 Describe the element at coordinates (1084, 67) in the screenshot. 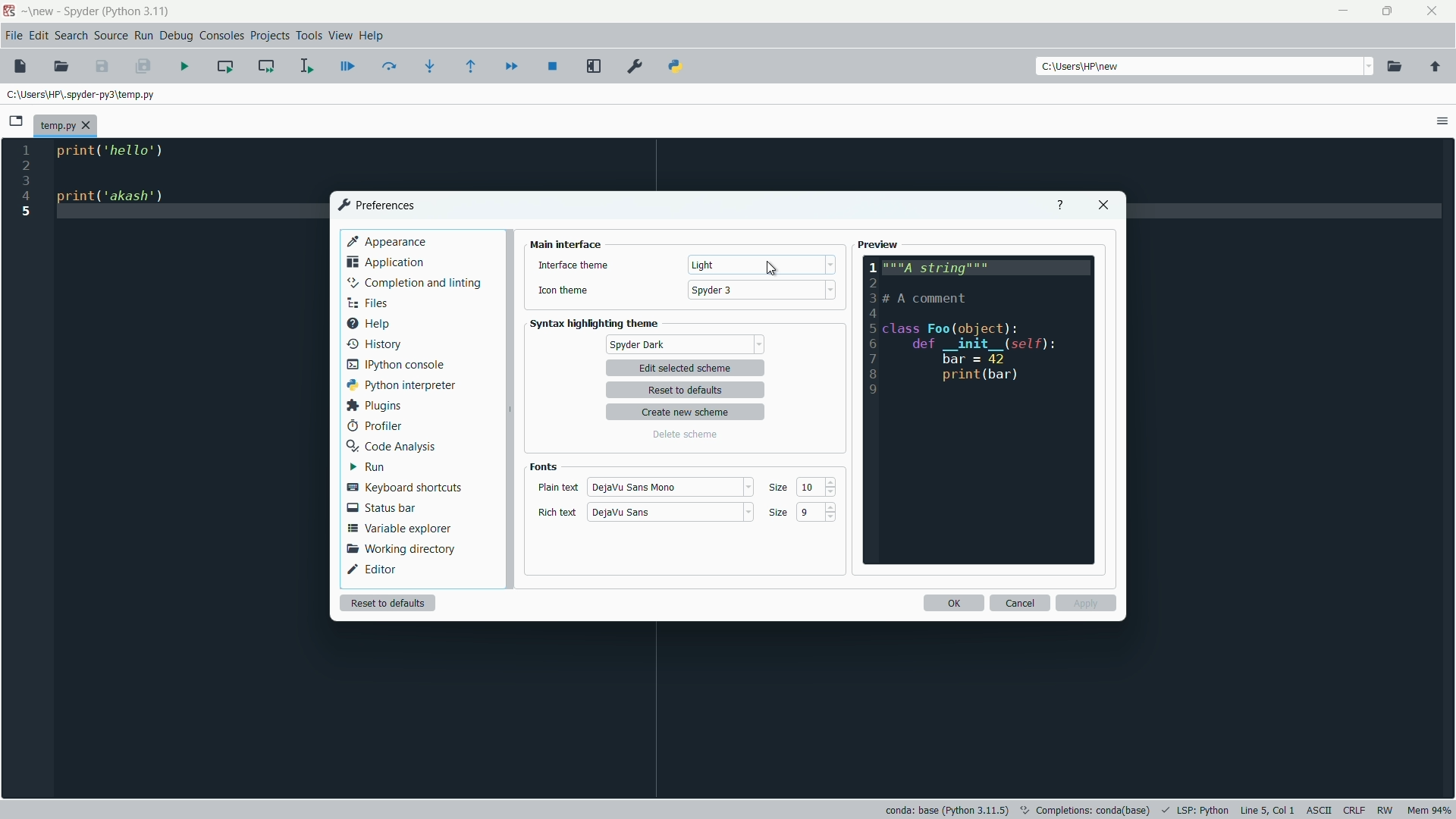

I see `directory` at that location.